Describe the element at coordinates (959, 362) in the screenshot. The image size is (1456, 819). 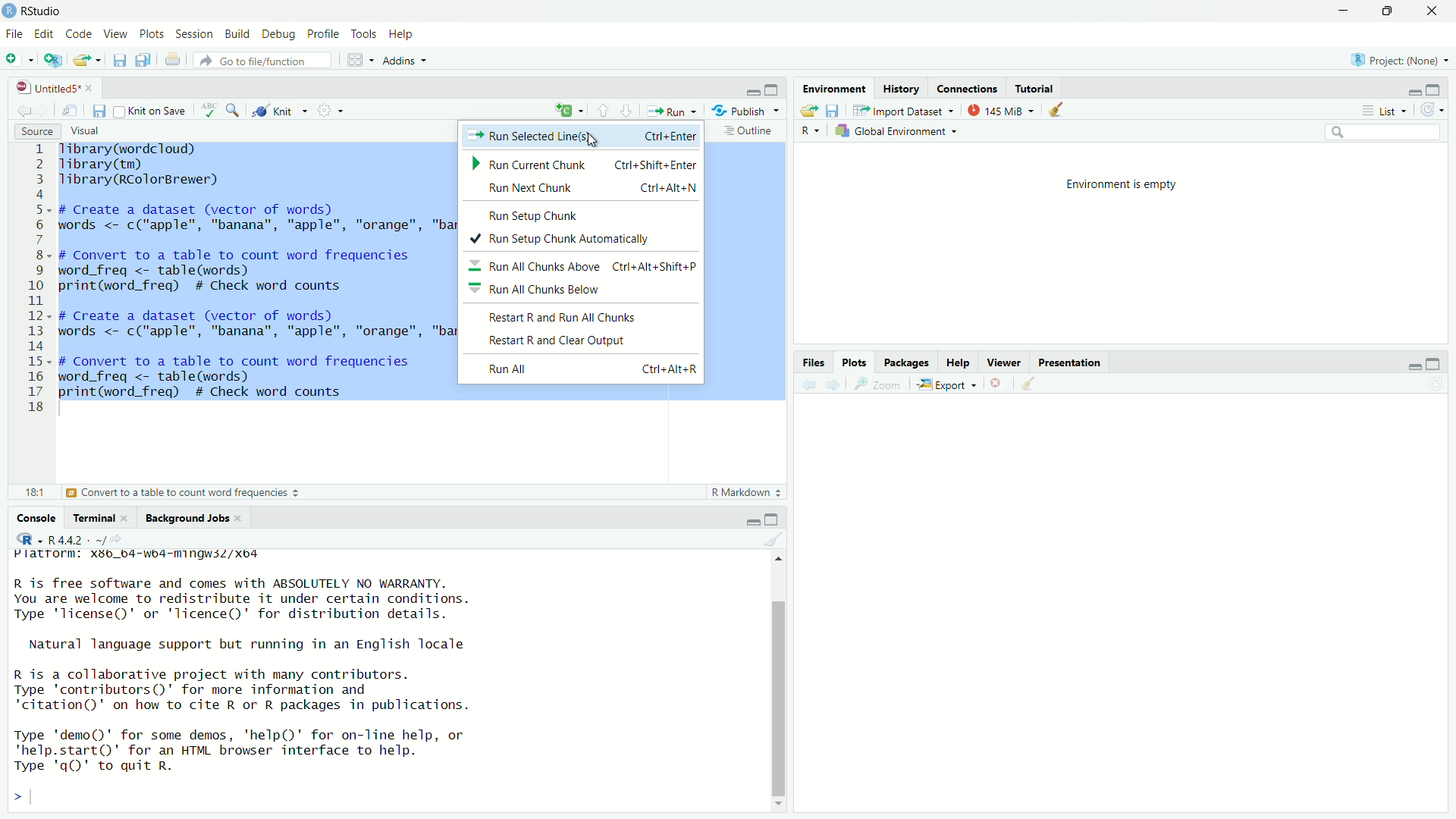
I see `Help` at that location.